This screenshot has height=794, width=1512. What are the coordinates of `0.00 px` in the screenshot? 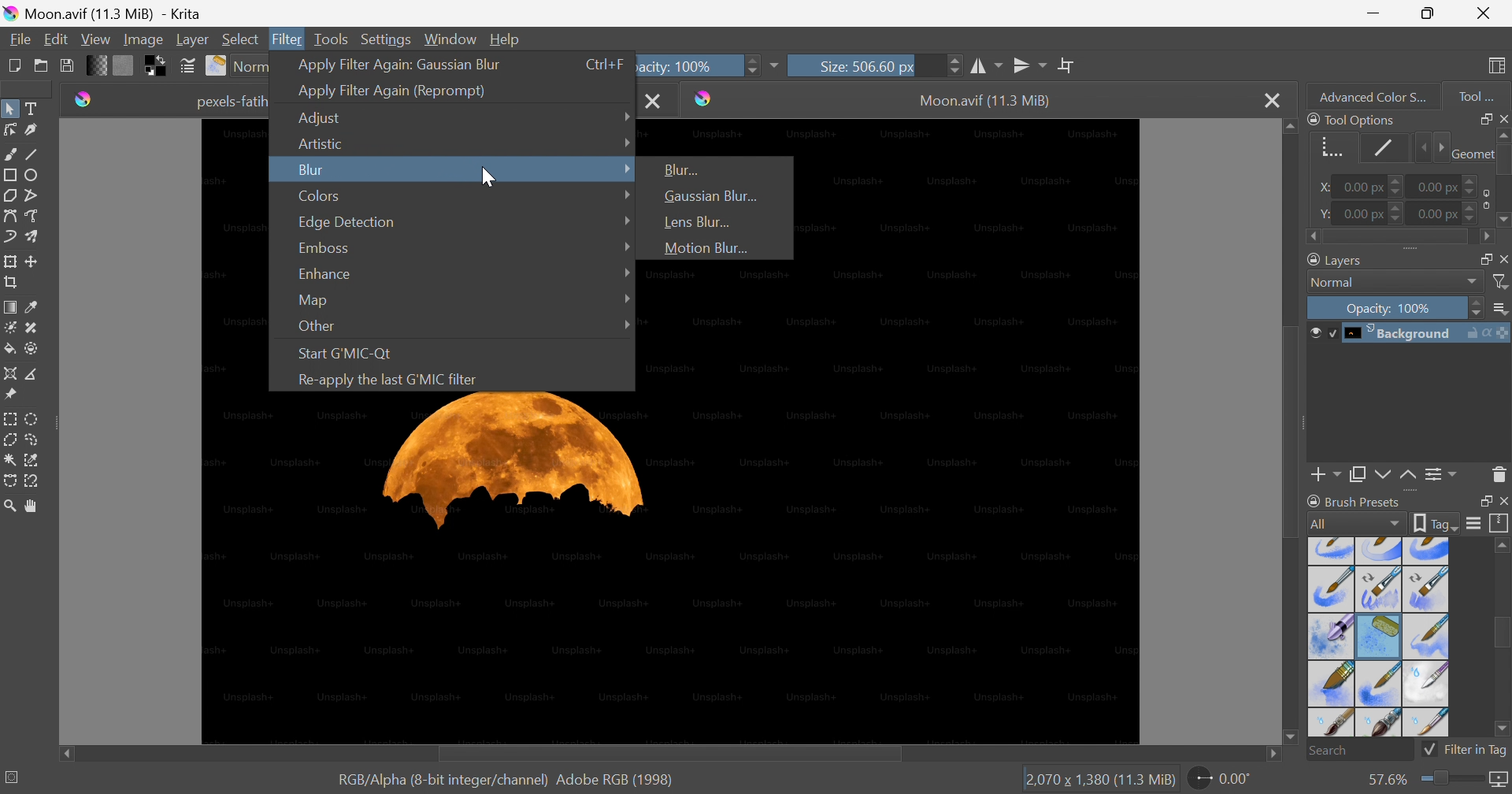 It's located at (1368, 213).